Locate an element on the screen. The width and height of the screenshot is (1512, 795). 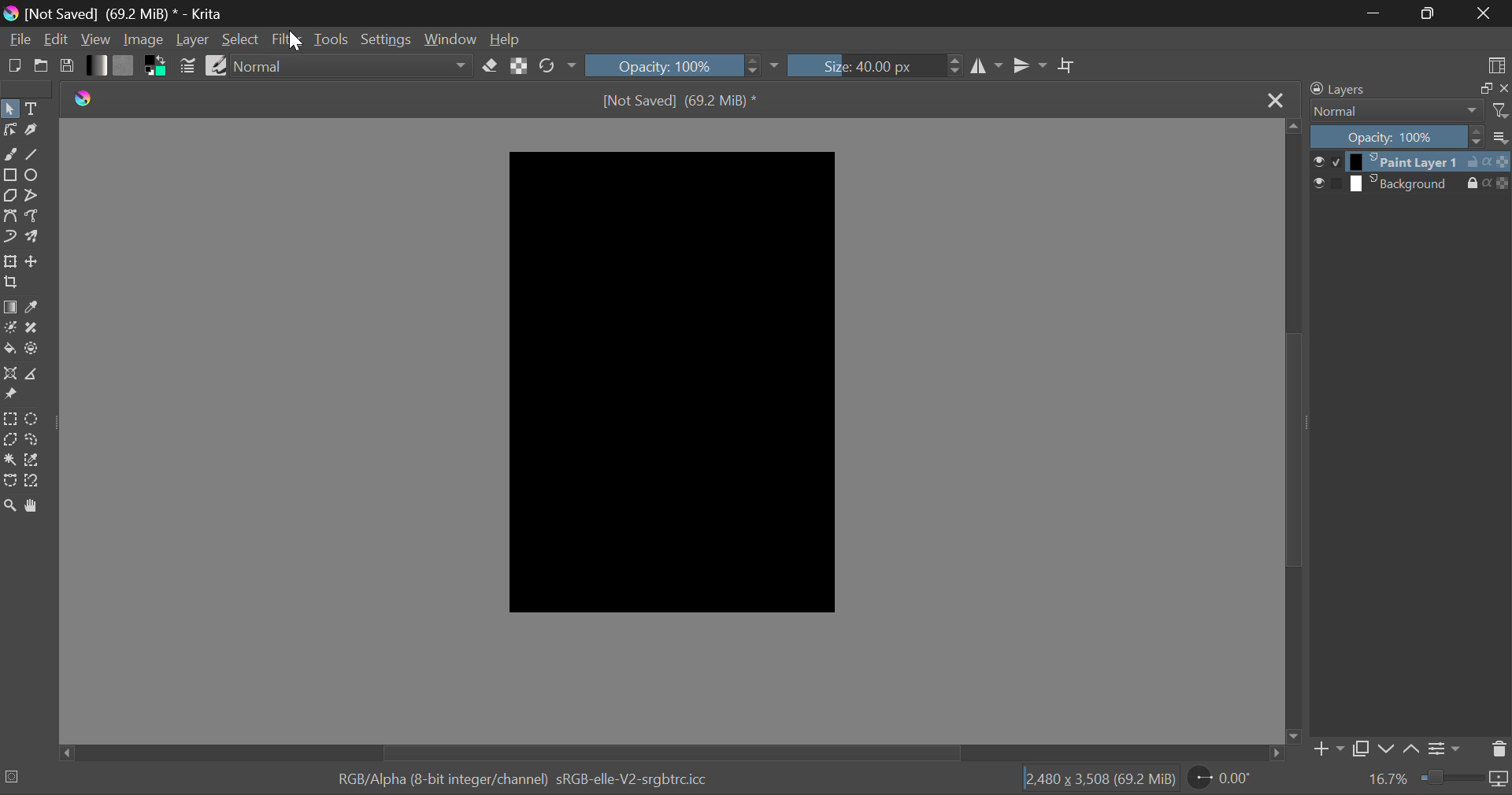
Vertical Mirror Flip is located at coordinates (988, 66).